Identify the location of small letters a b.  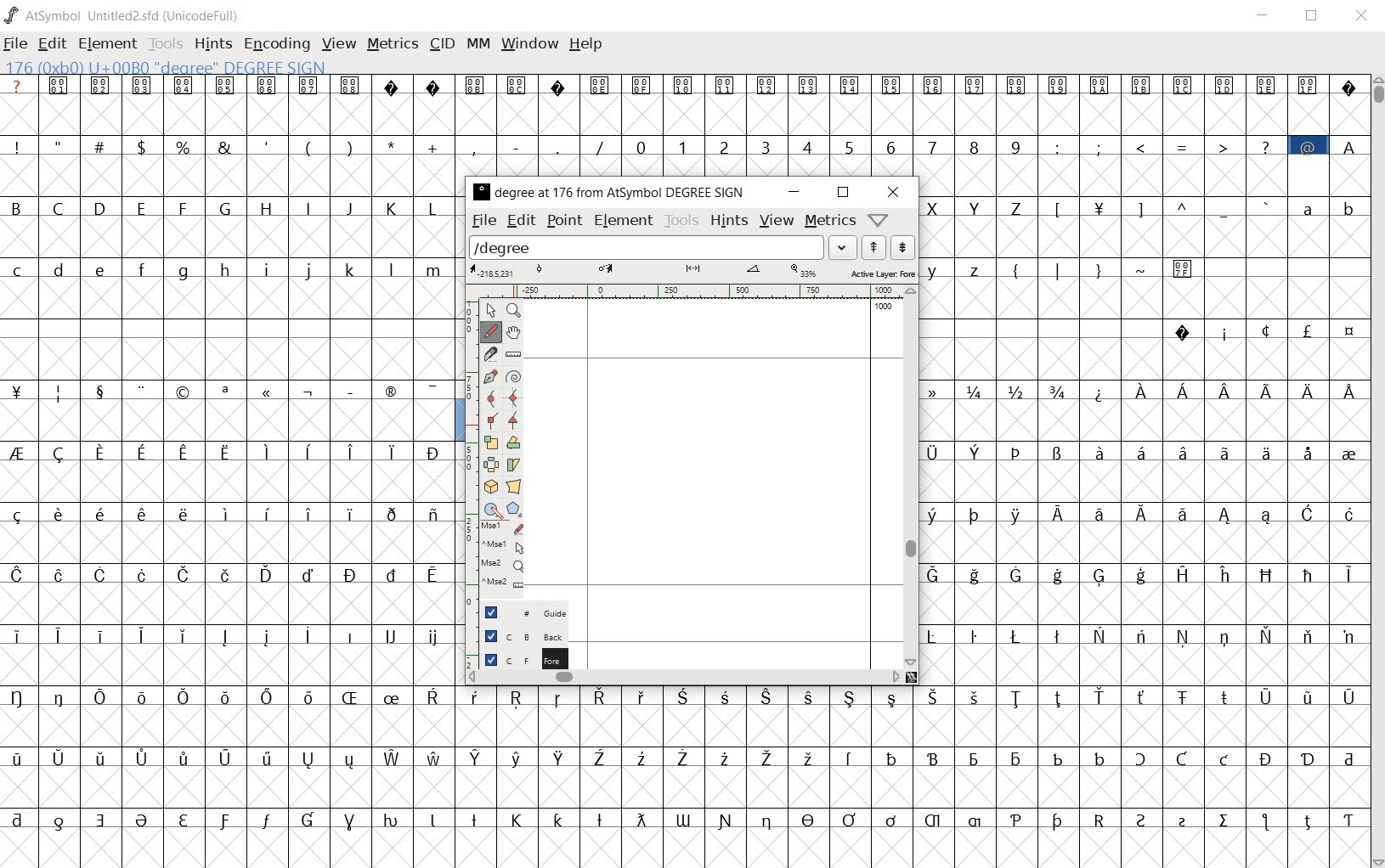
(1329, 207).